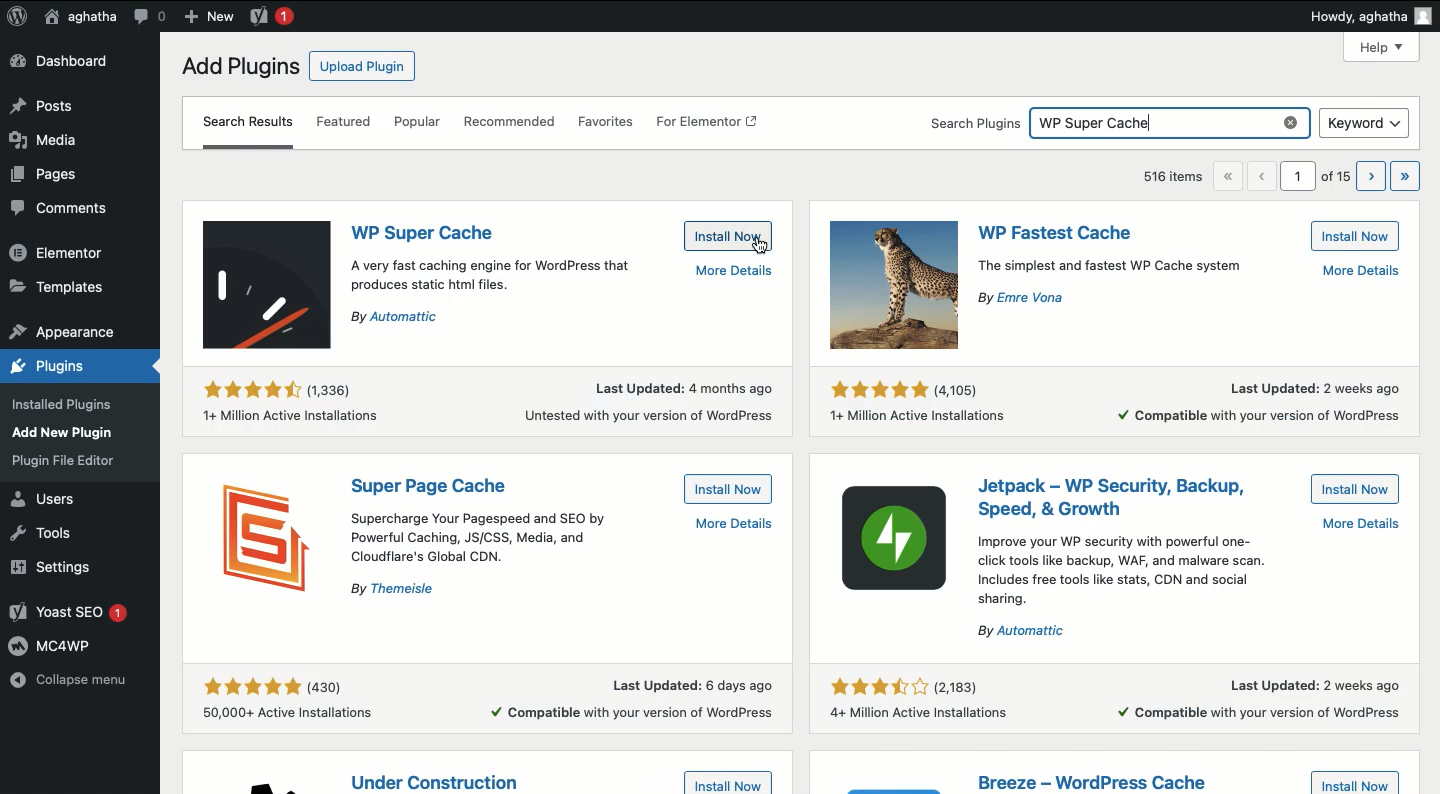  Describe the element at coordinates (265, 284) in the screenshot. I see `Icon` at that location.